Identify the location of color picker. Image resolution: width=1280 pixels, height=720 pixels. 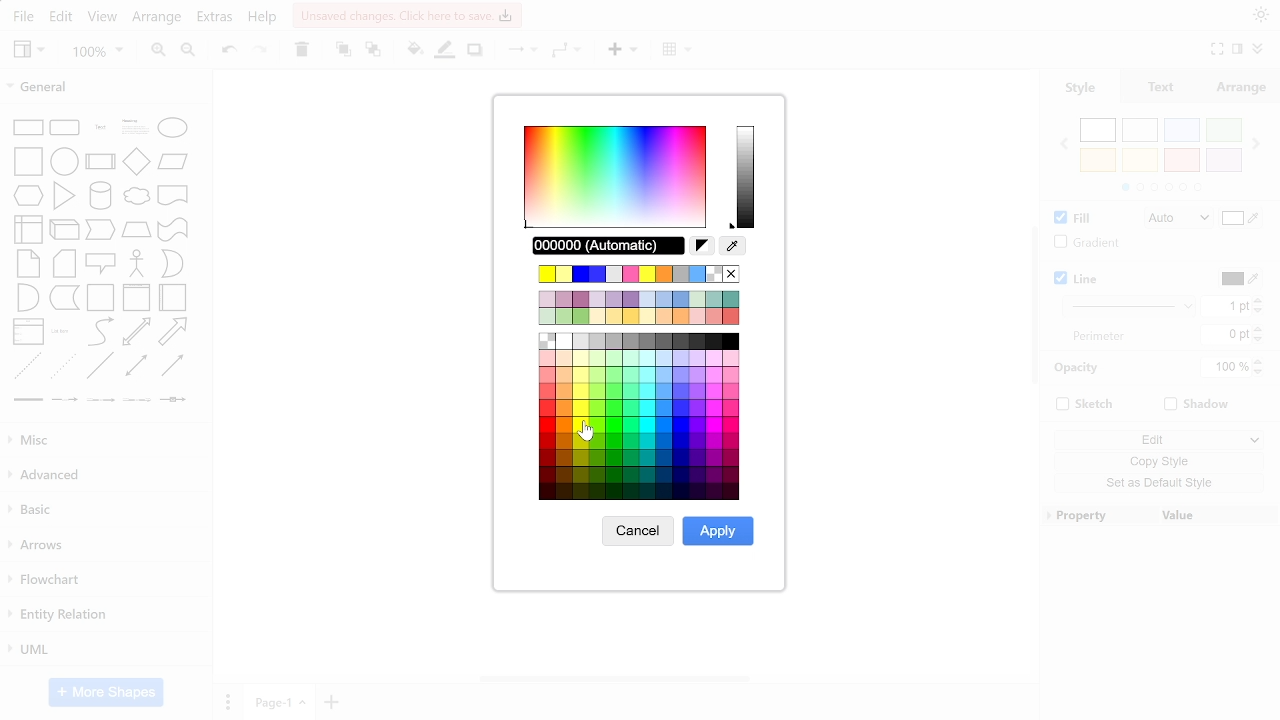
(734, 246).